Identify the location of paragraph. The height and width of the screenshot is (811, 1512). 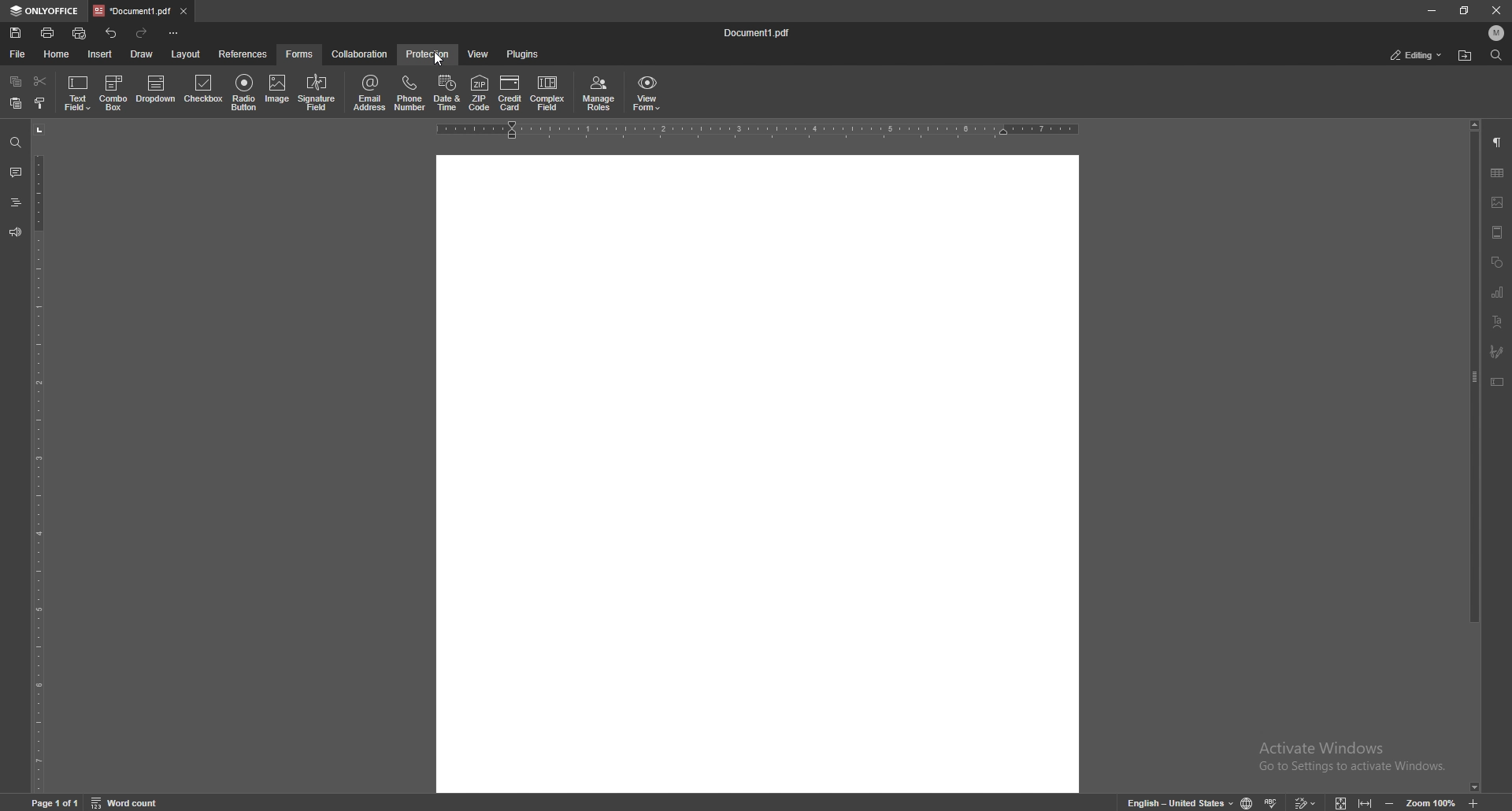
(1497, 143).